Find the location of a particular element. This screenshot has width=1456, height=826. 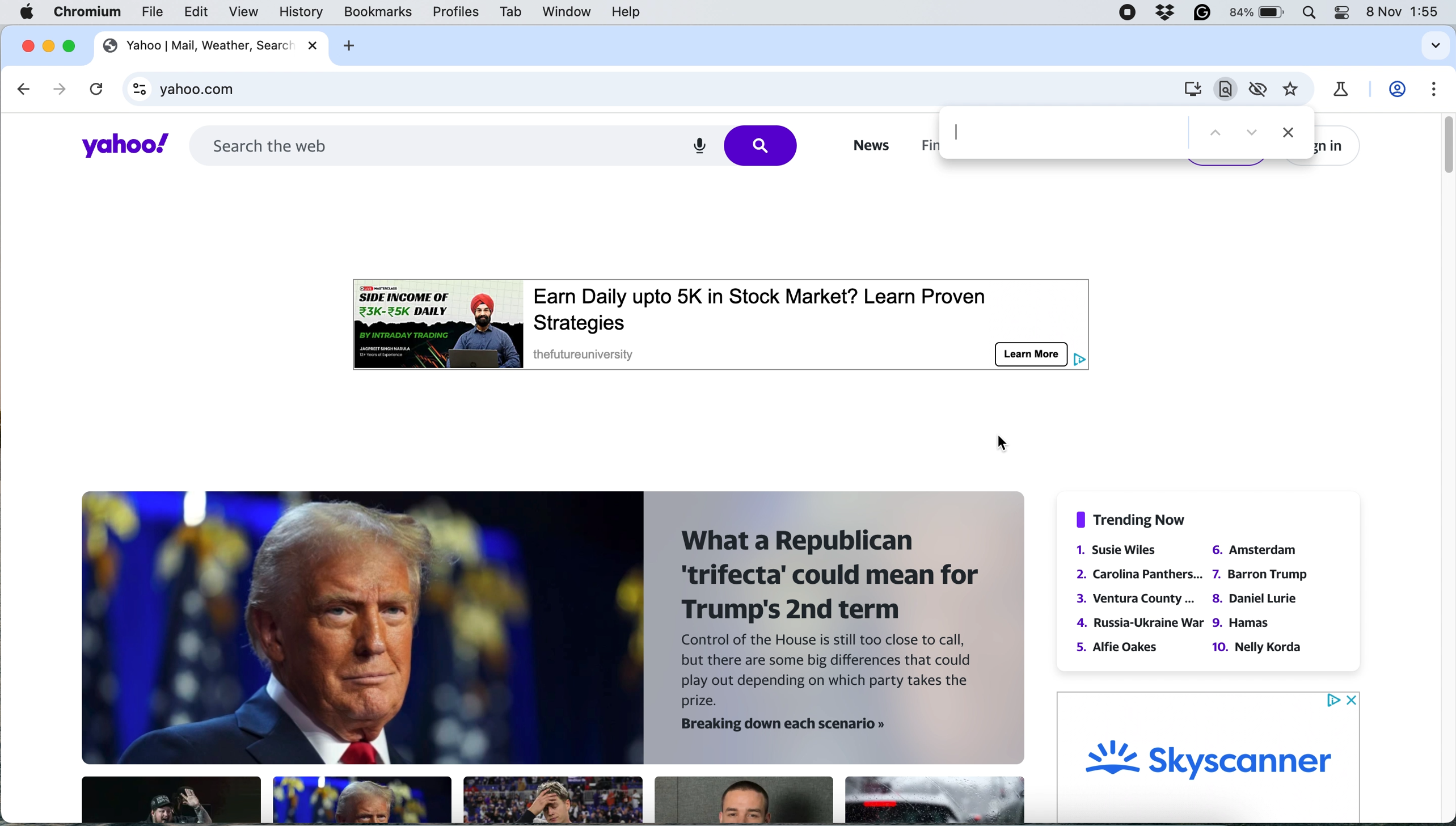

help is located at coordinates (623, 12).